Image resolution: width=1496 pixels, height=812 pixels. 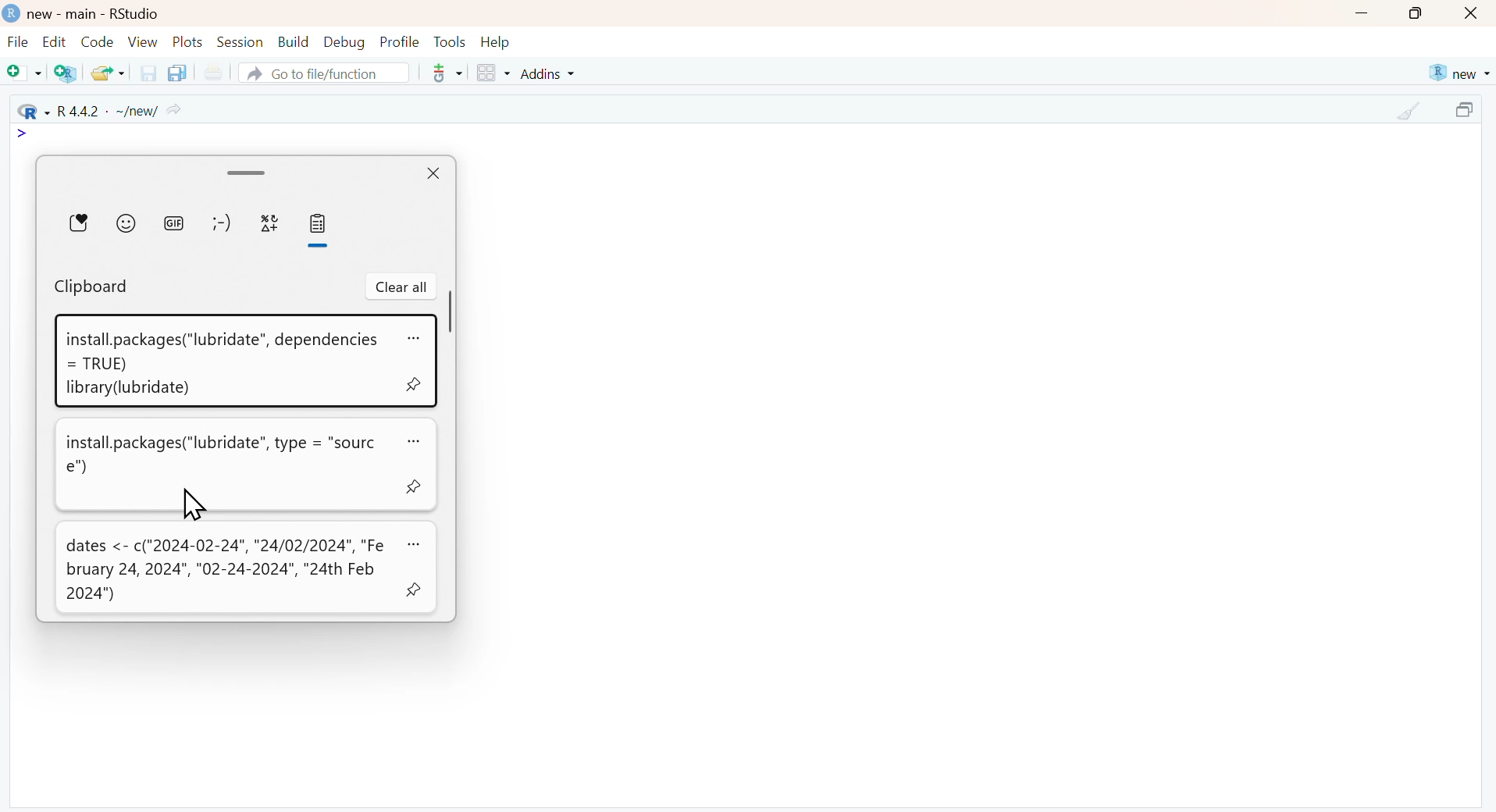 I want to click on Emoticon, so click(x=221, y=223).